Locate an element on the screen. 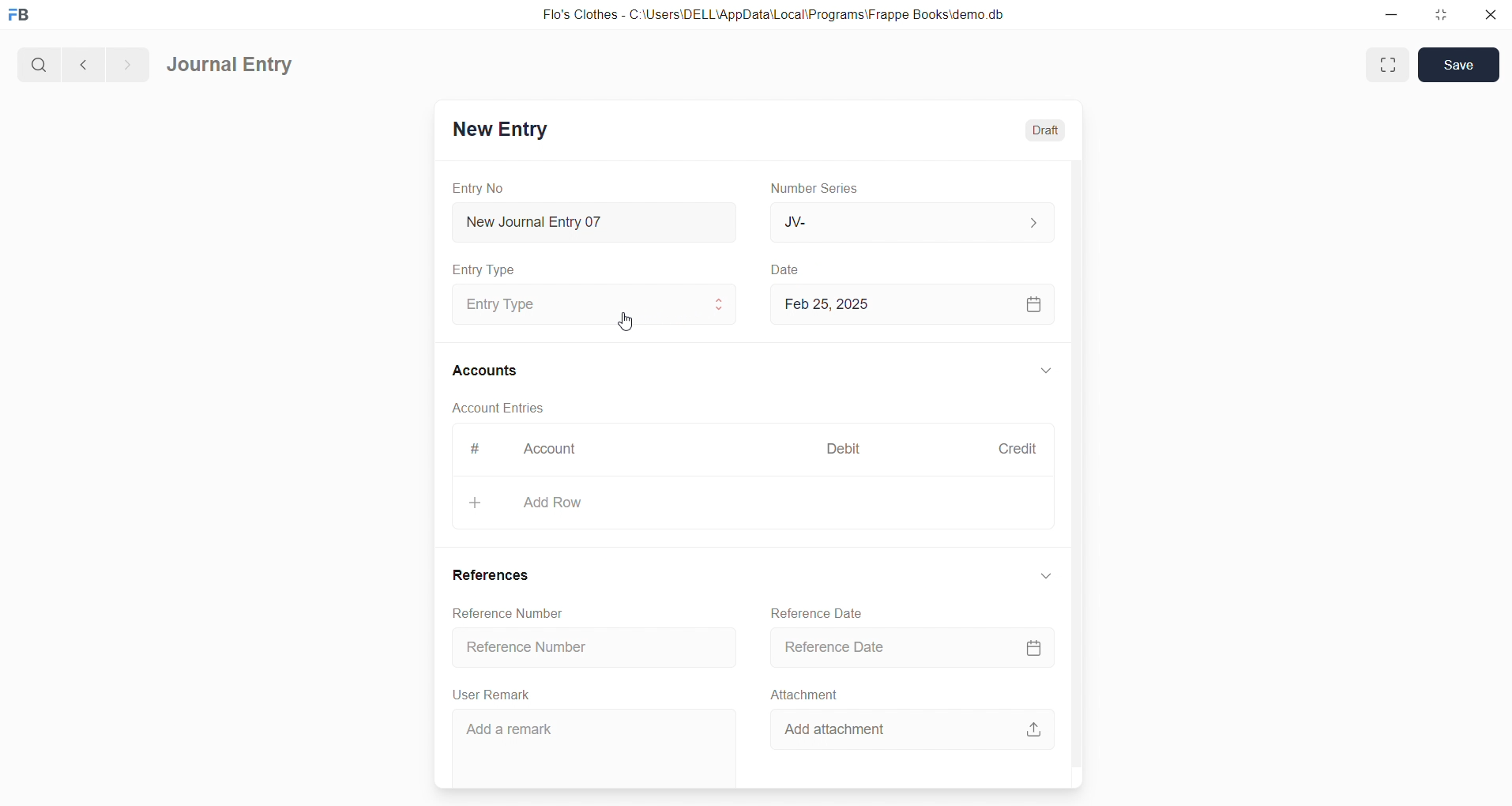 The width and height of the screenshot is (1512, 806). New Journal Entry 07 is located at coordinates (596, 218).